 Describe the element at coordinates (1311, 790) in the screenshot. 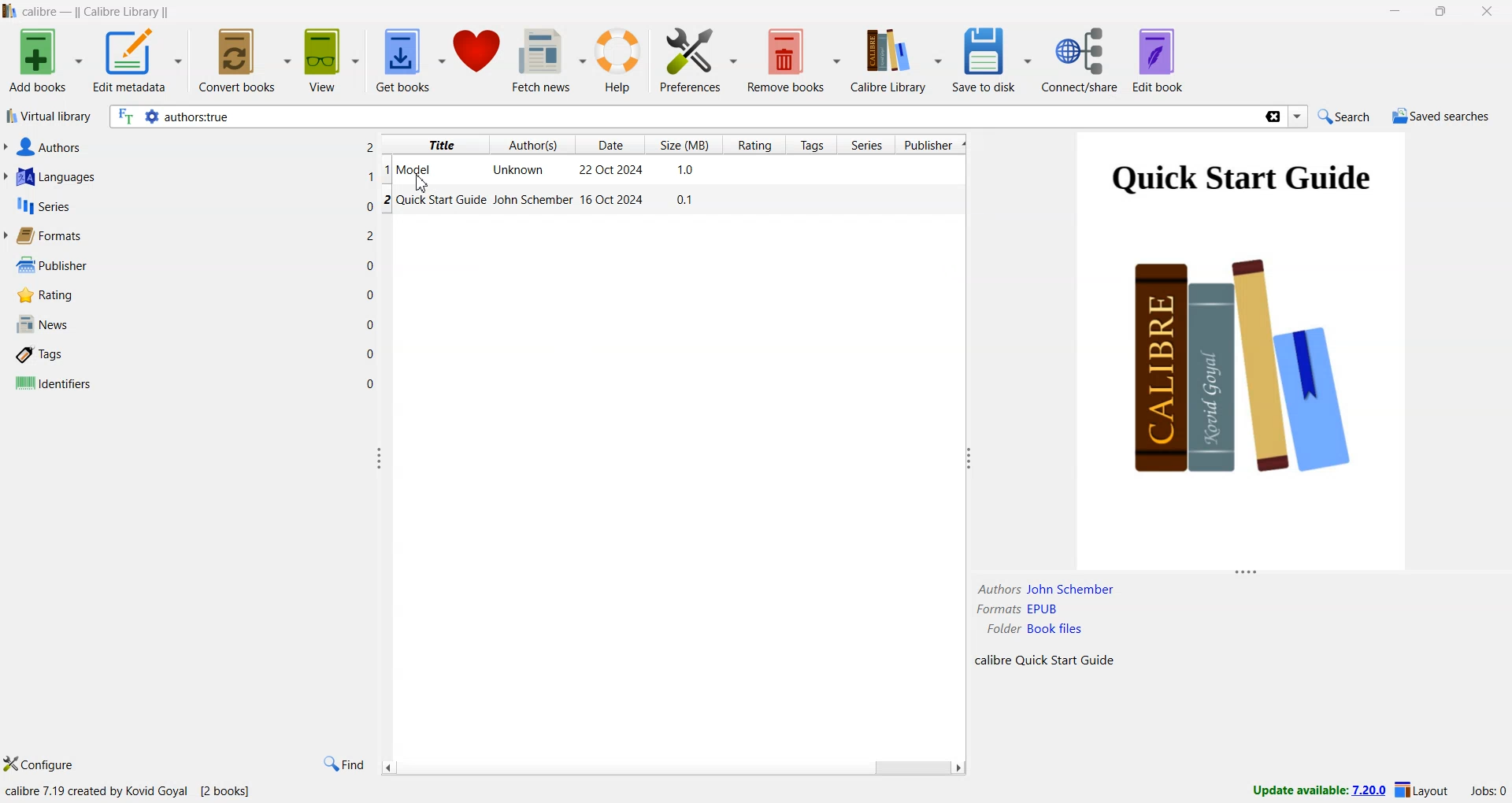

I see `update available` at that location.